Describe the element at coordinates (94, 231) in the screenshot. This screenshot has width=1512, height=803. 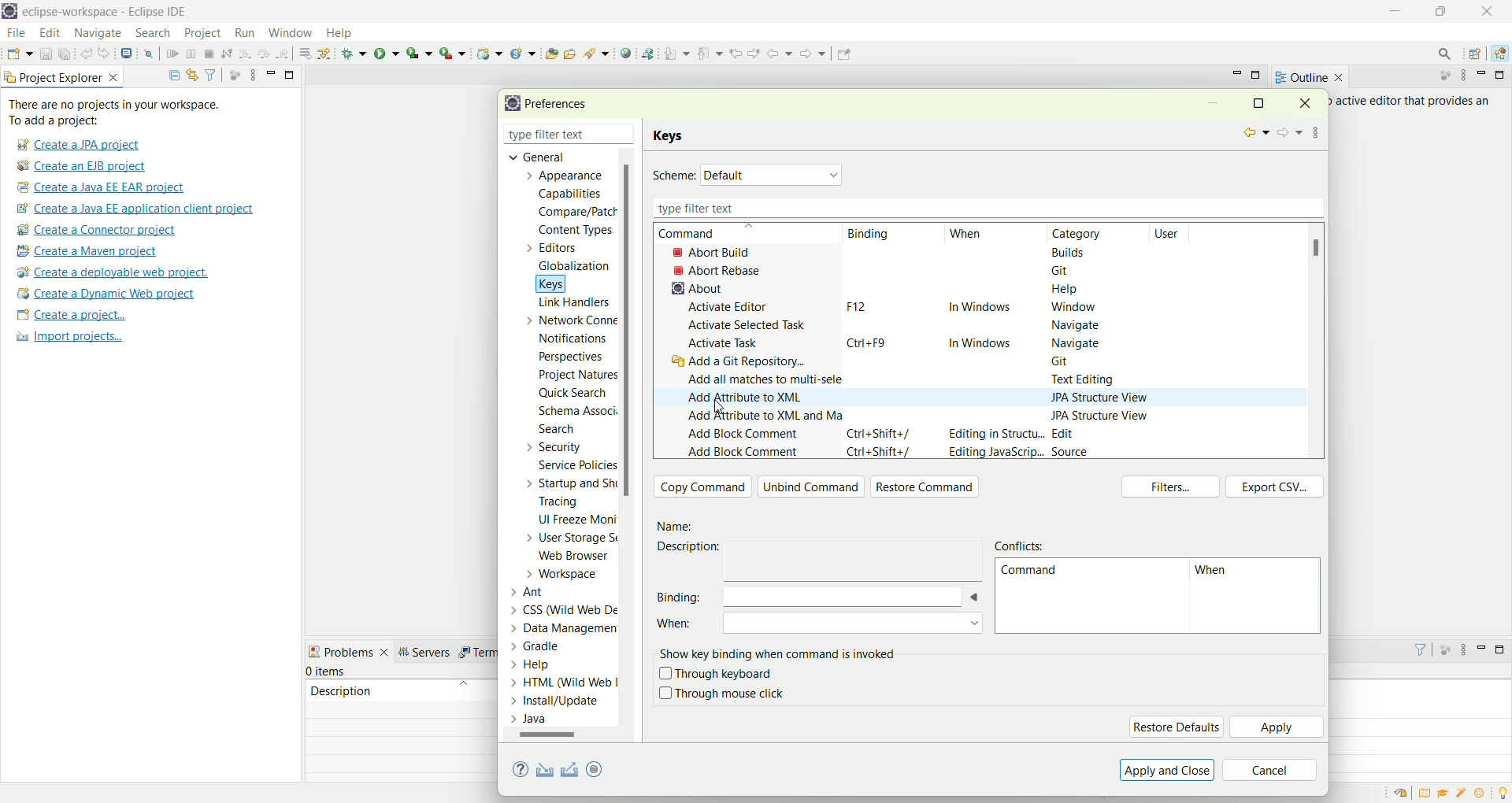
I see `create a connector project` at that location.